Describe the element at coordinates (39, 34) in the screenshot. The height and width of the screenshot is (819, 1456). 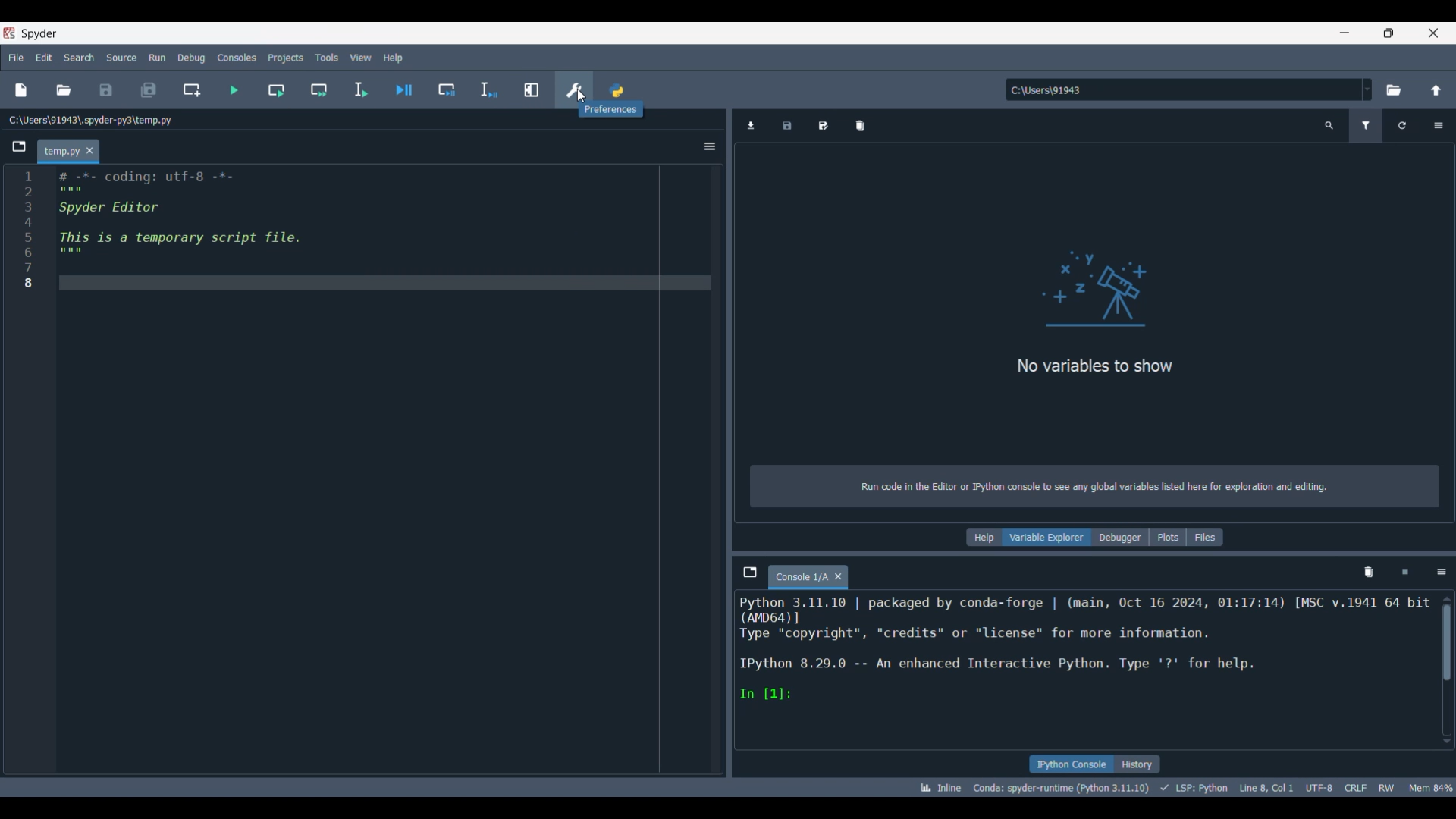
I see `Software name` at that location.